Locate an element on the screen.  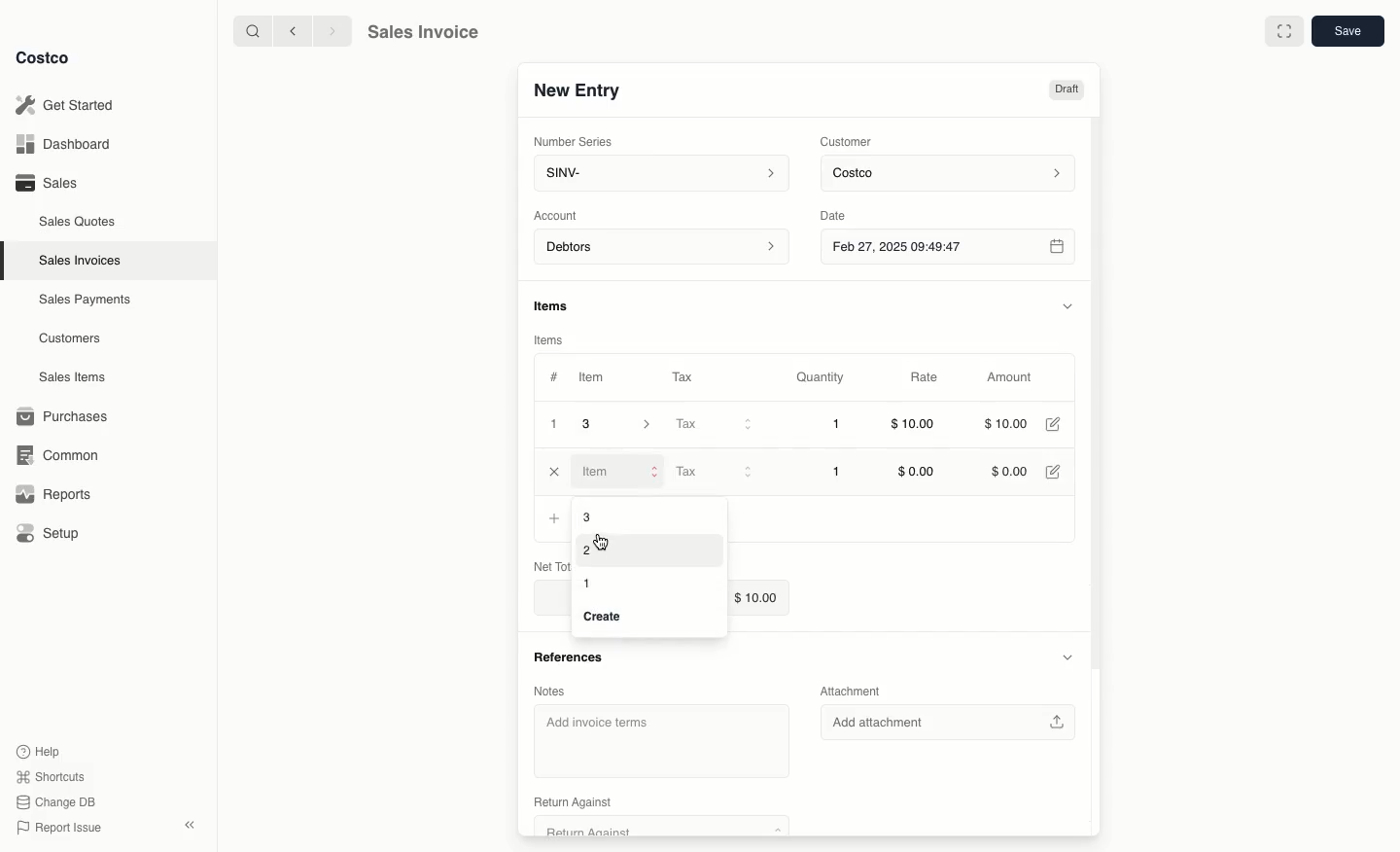
Report Issue is located at coordinates (59, 828).